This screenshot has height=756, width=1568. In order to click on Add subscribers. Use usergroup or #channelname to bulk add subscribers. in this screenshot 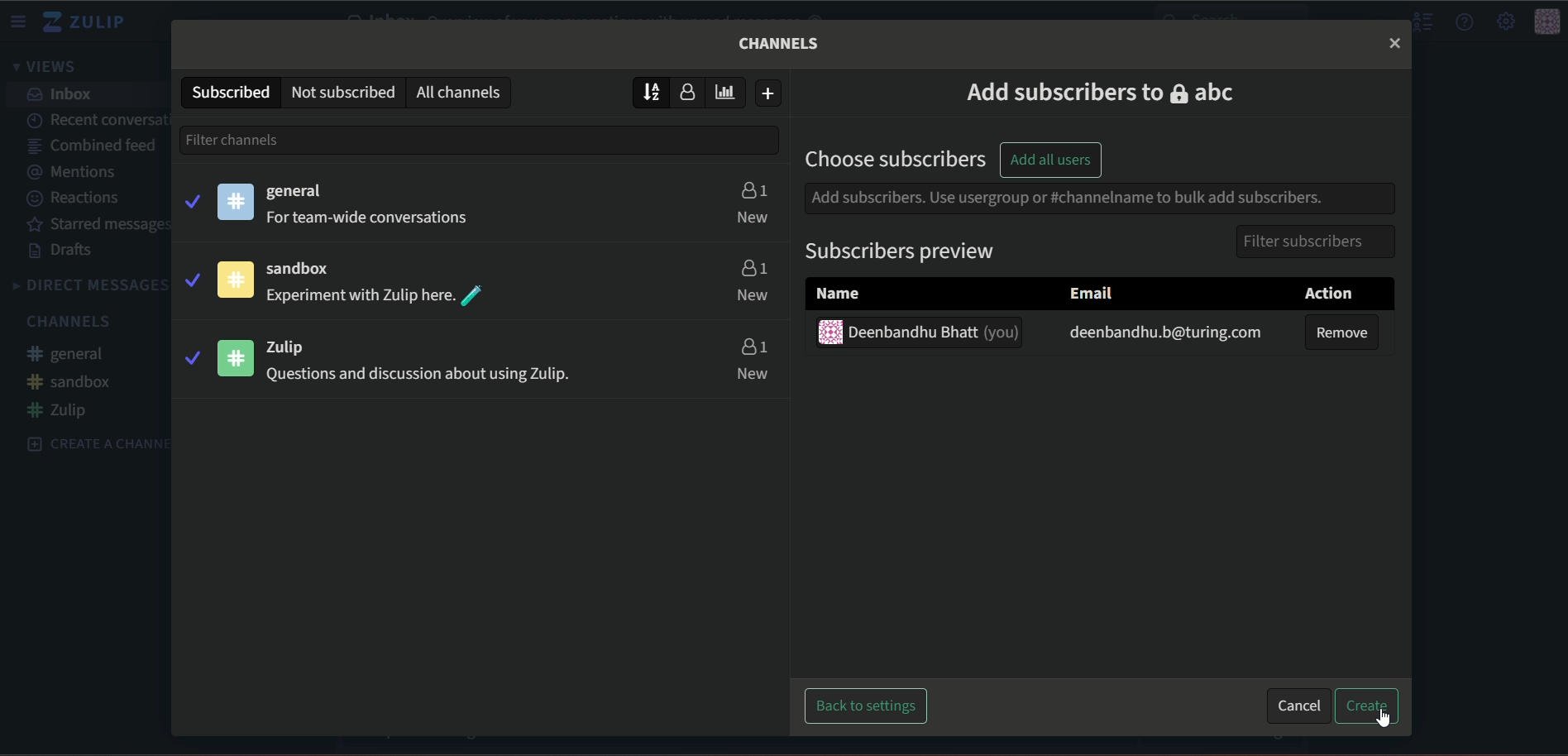, I will do `click(1064, 197)`.